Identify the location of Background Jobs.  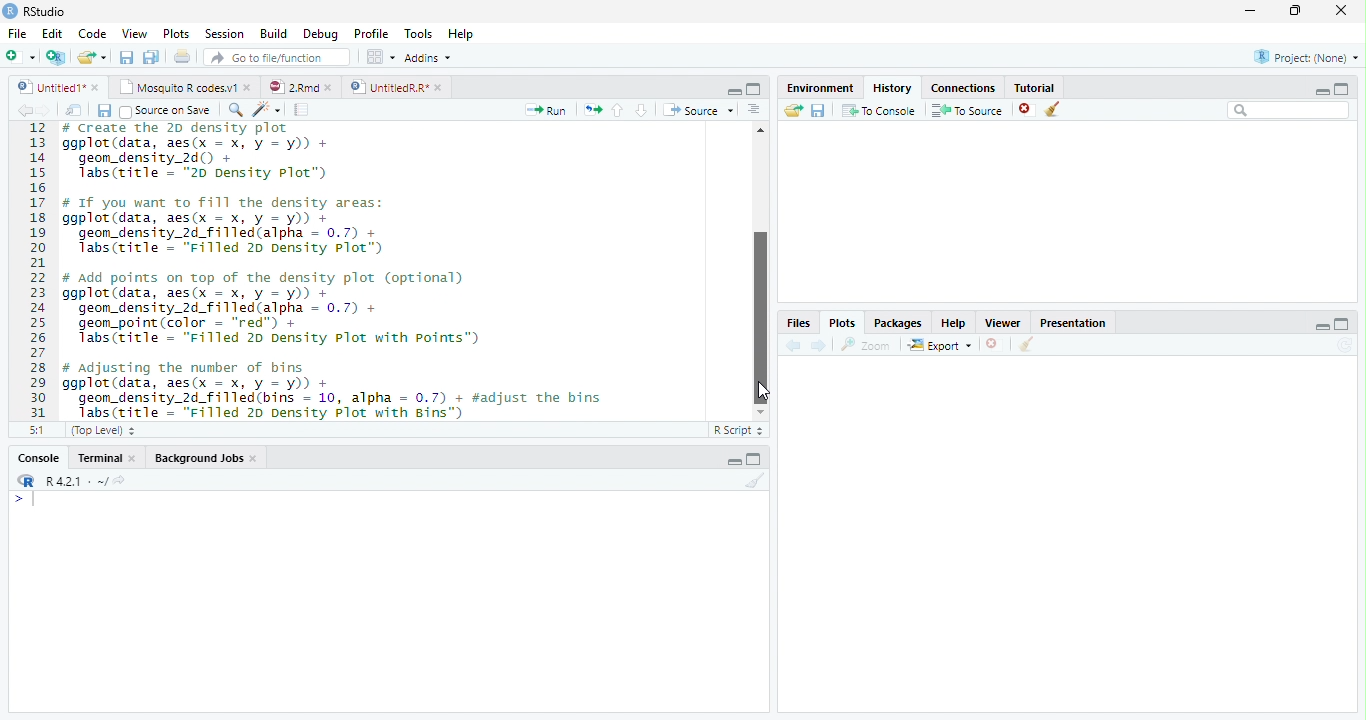
(200, 459).